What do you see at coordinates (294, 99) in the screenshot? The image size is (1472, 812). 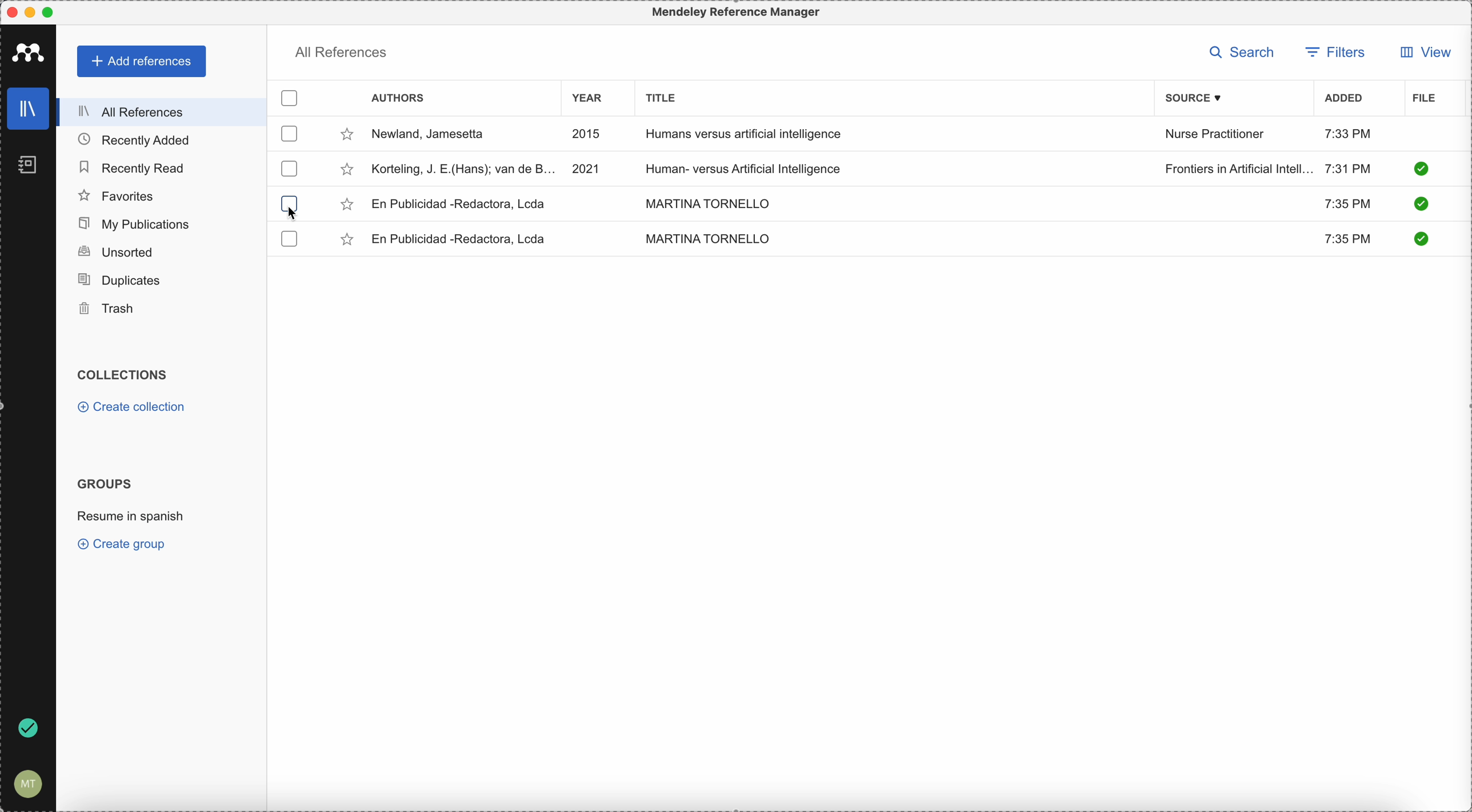 I see `checkbox` at bounding box center [294, 99].